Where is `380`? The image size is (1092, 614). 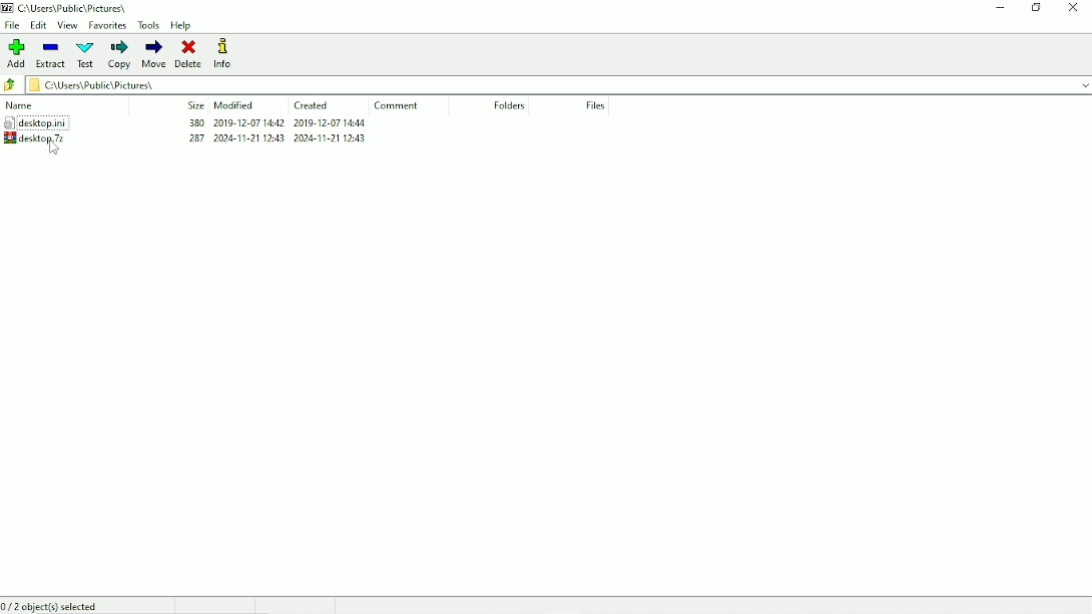
380 is located at coordinates (191, 122).